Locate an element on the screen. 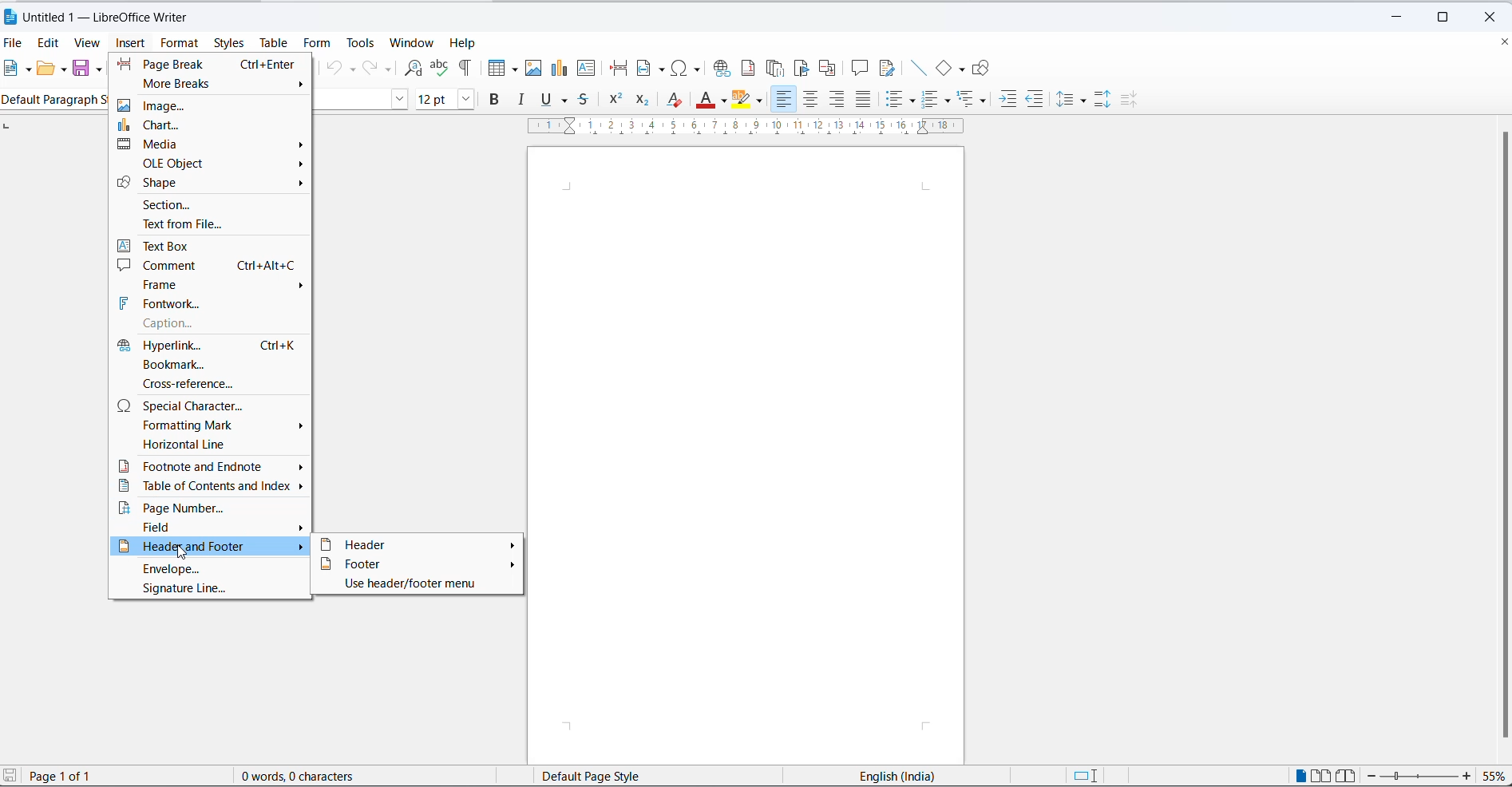  font size options is located at coordinates (463, 100).